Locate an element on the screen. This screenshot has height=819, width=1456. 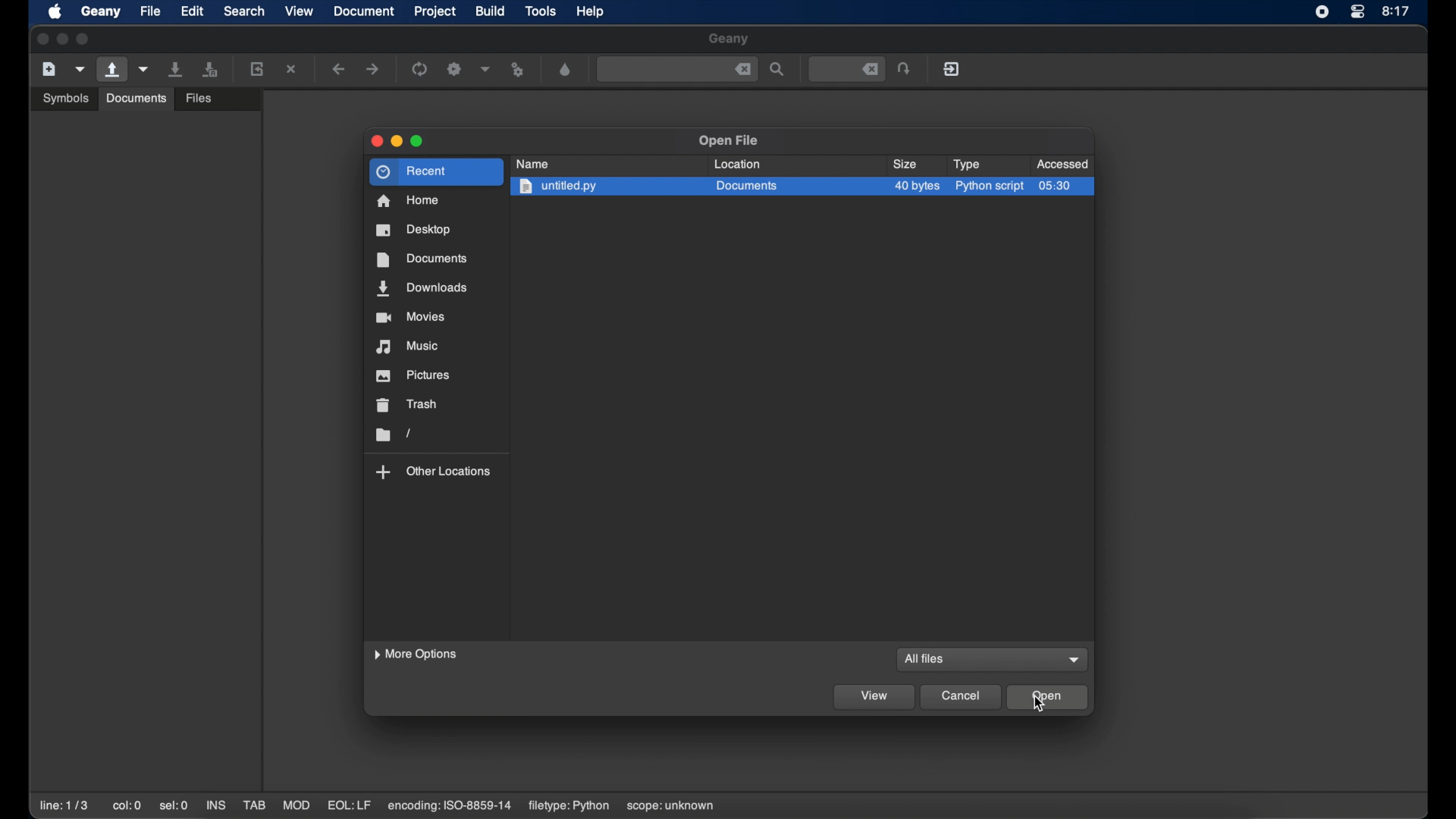
eql: lf is located at coordinates (350, 805).